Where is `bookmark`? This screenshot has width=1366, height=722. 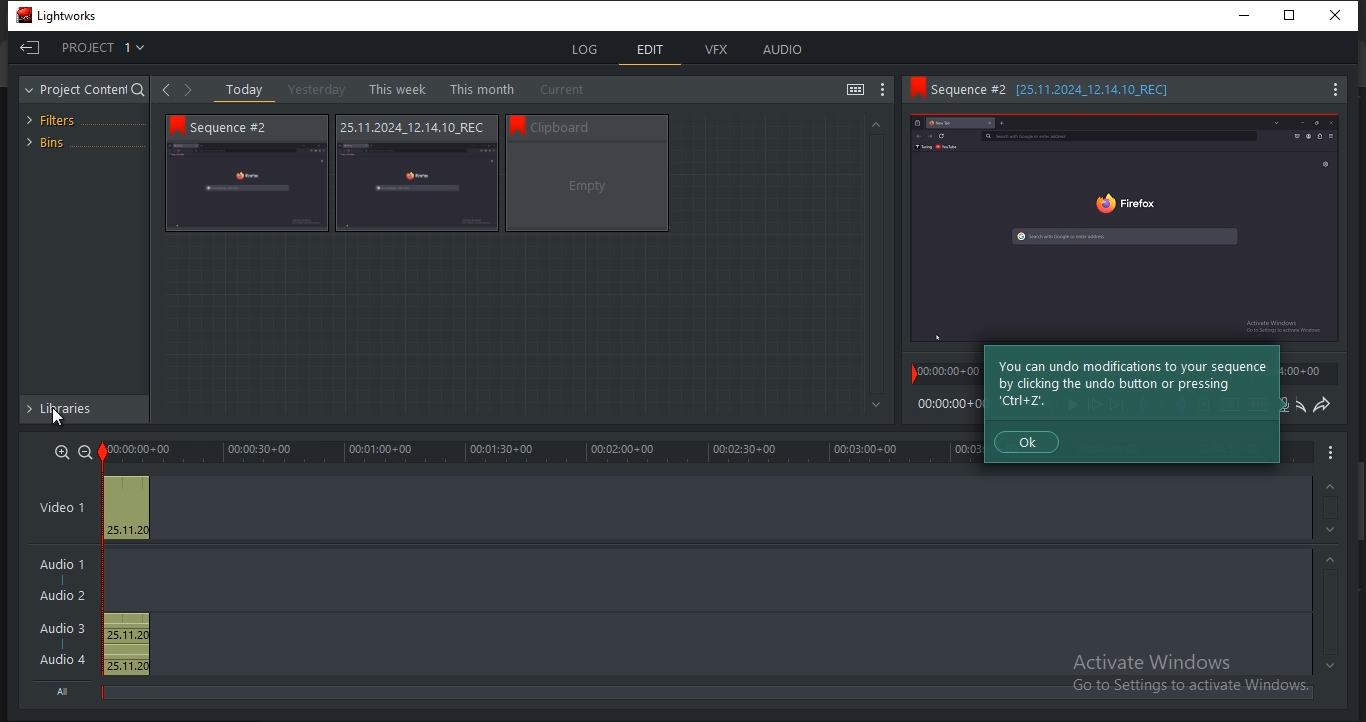 bookmark is located at coordinates (517, 124).